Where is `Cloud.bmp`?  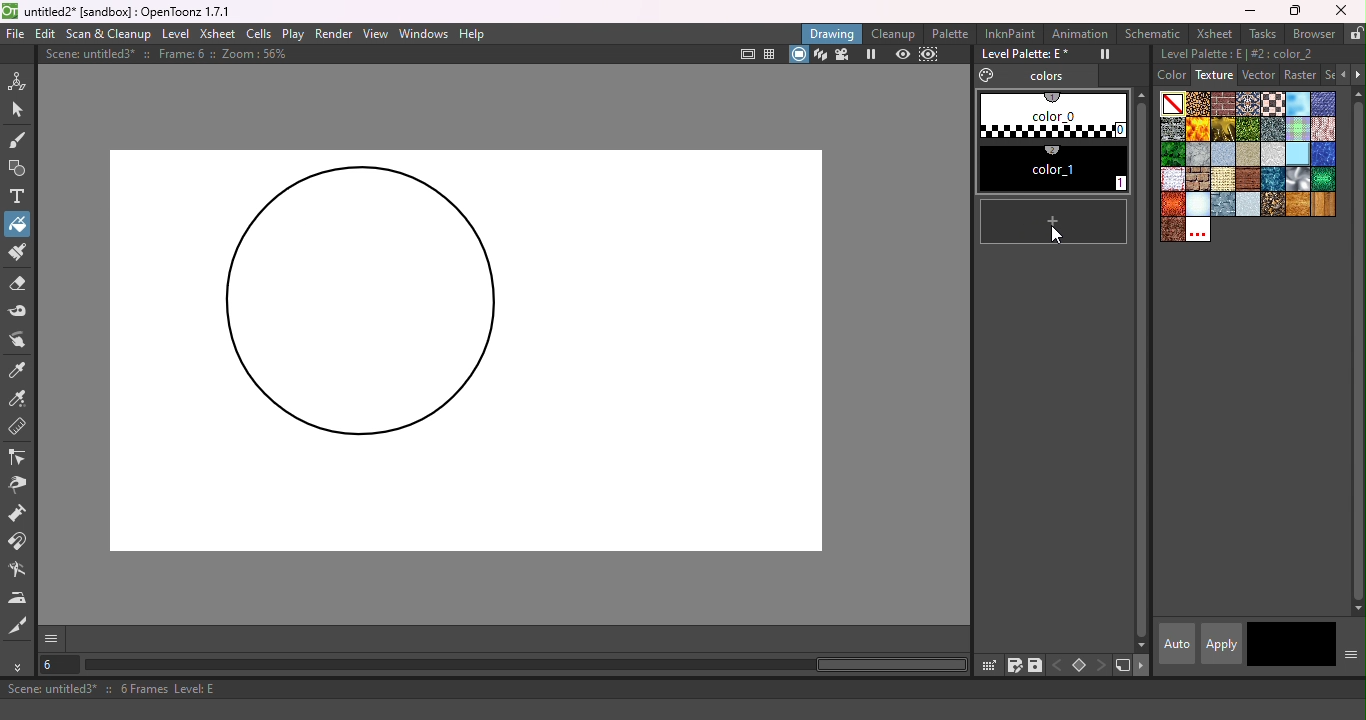
Cloud.bmp is located at coordinates (1298, 103).